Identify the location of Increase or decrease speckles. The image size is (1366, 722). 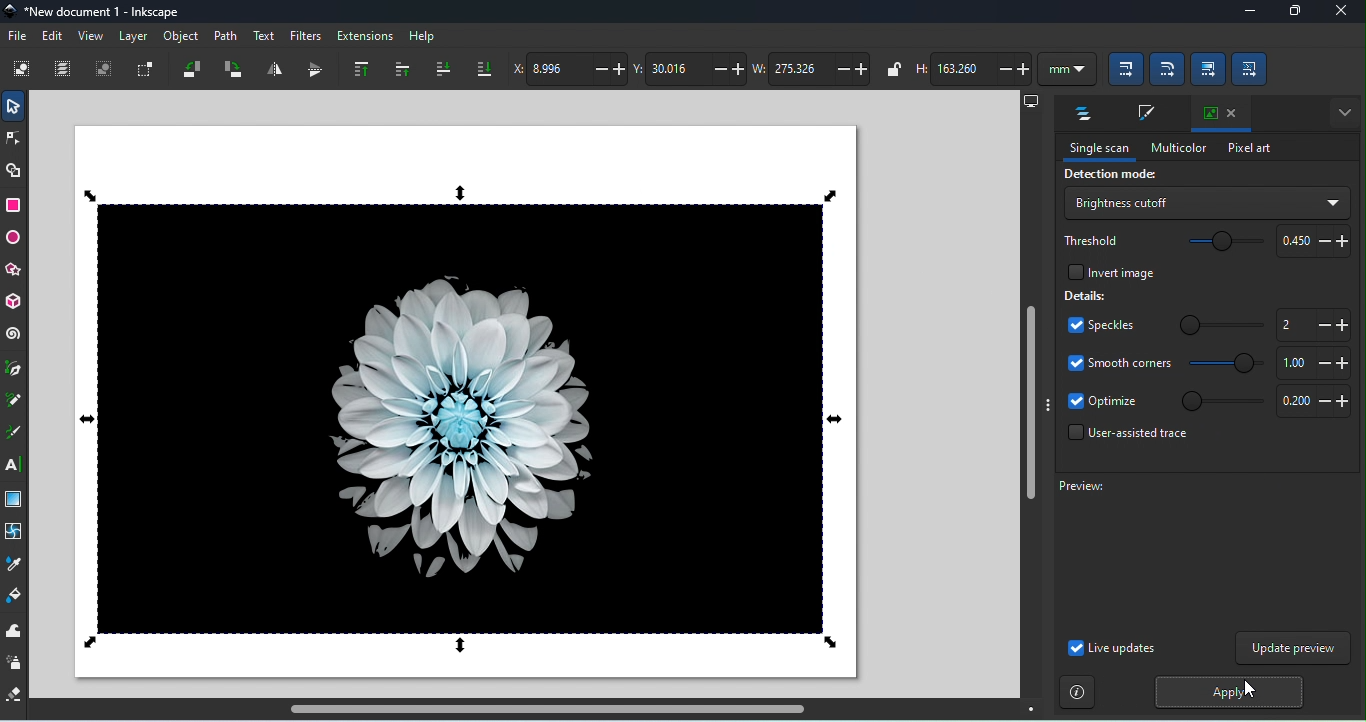
(1312, 325).